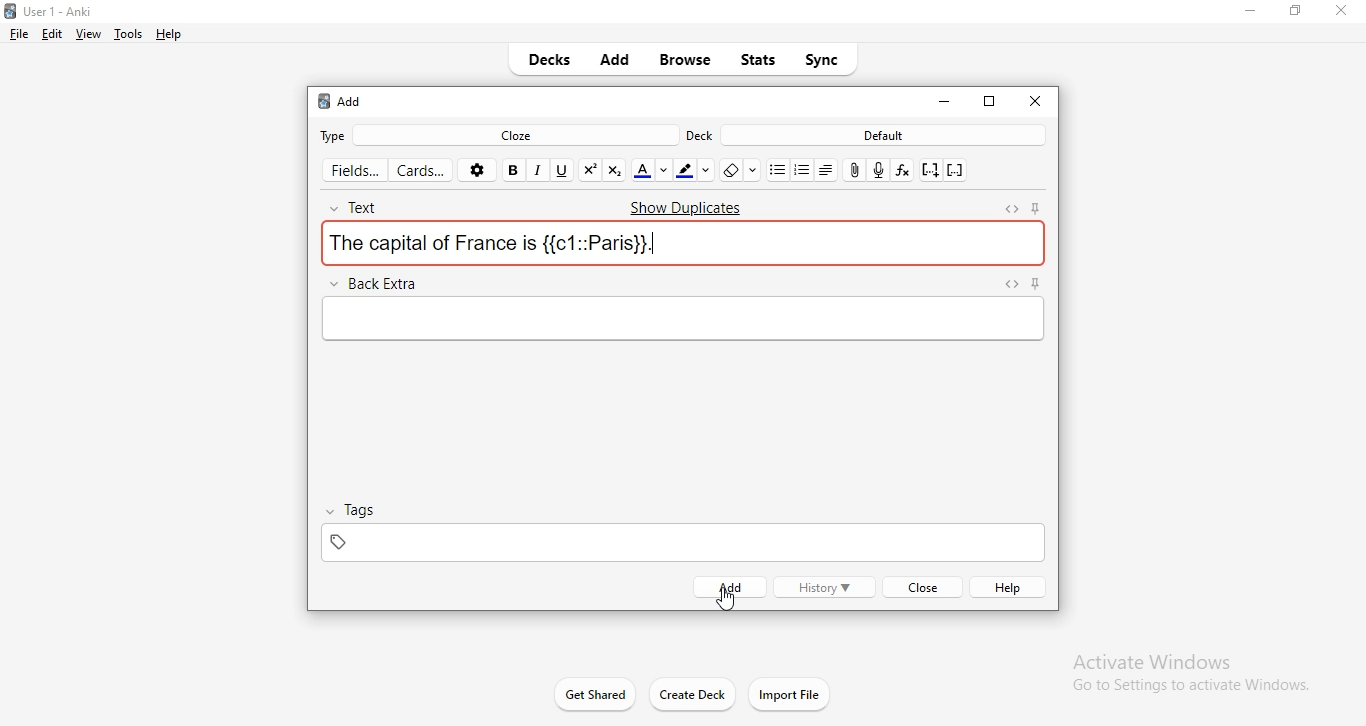 The image size is (1366, 726). I want to click on Activate Windows Go to Settings to activate Windows., so click(1182, 671).